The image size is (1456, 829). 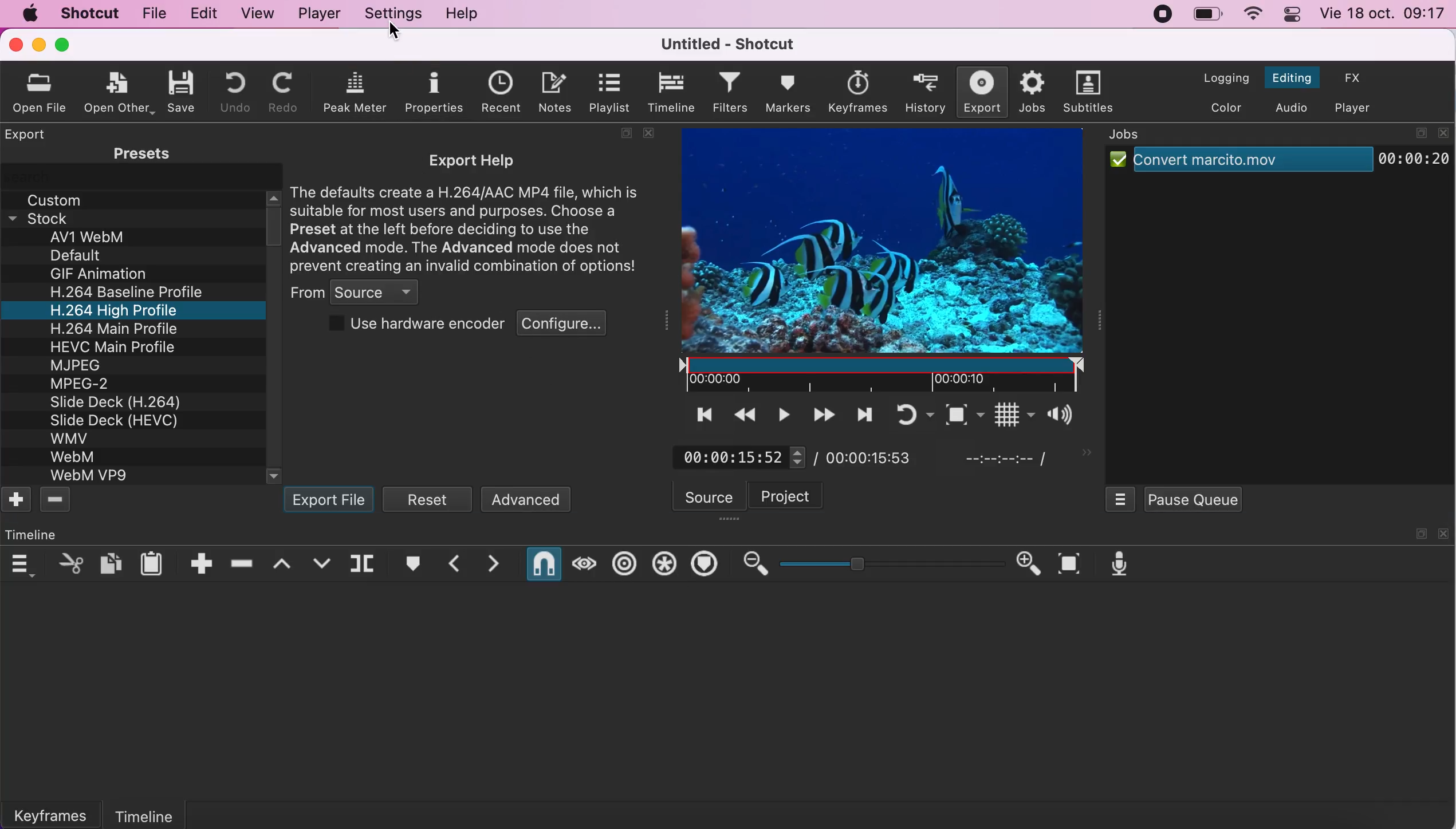 What do you see at coordinates (1293, 14) in the screenshot?
I see `panel control` at bounding box center [1293, 14].